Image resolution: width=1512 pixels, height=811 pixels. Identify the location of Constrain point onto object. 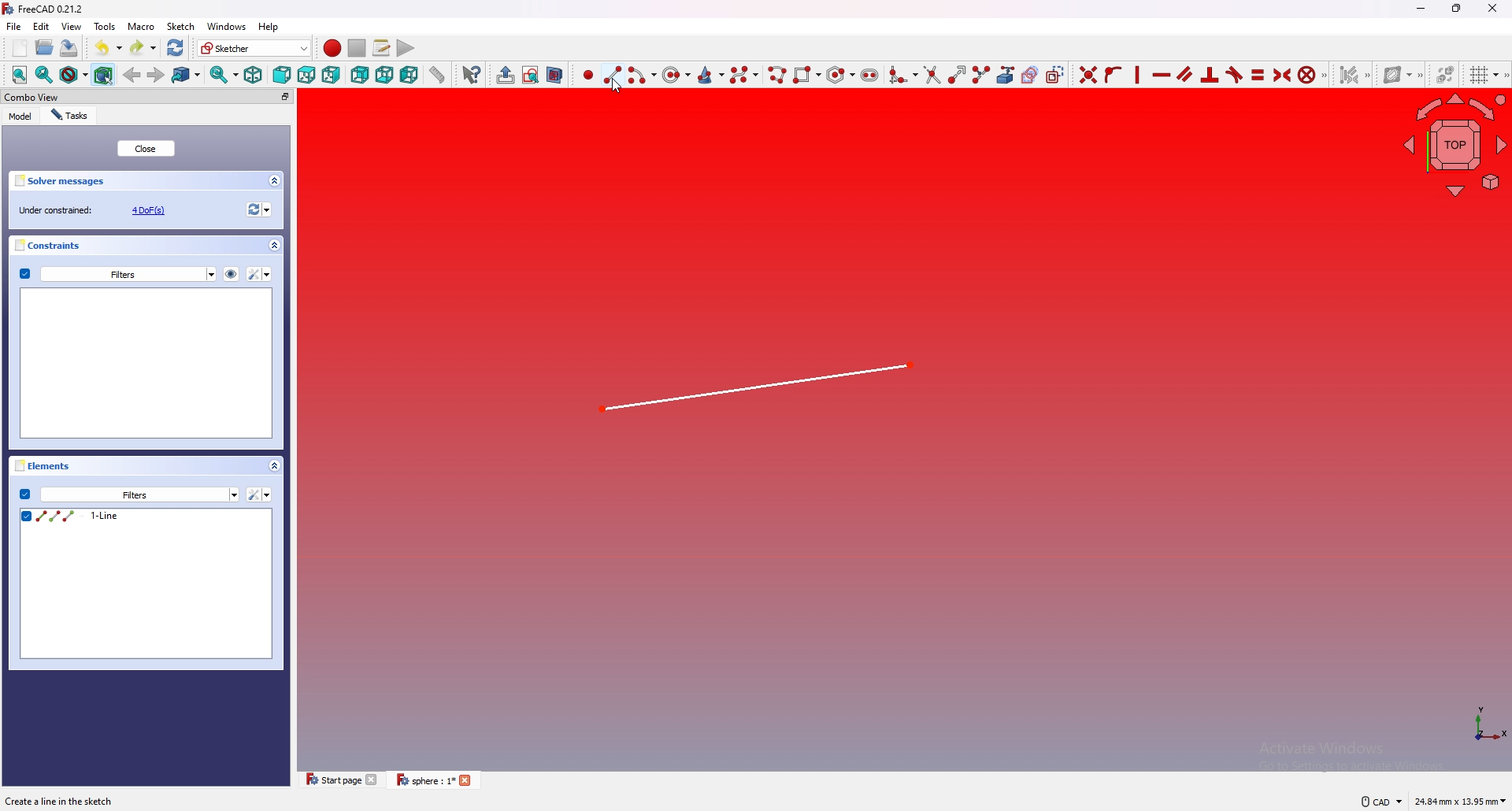
(1112, 74).